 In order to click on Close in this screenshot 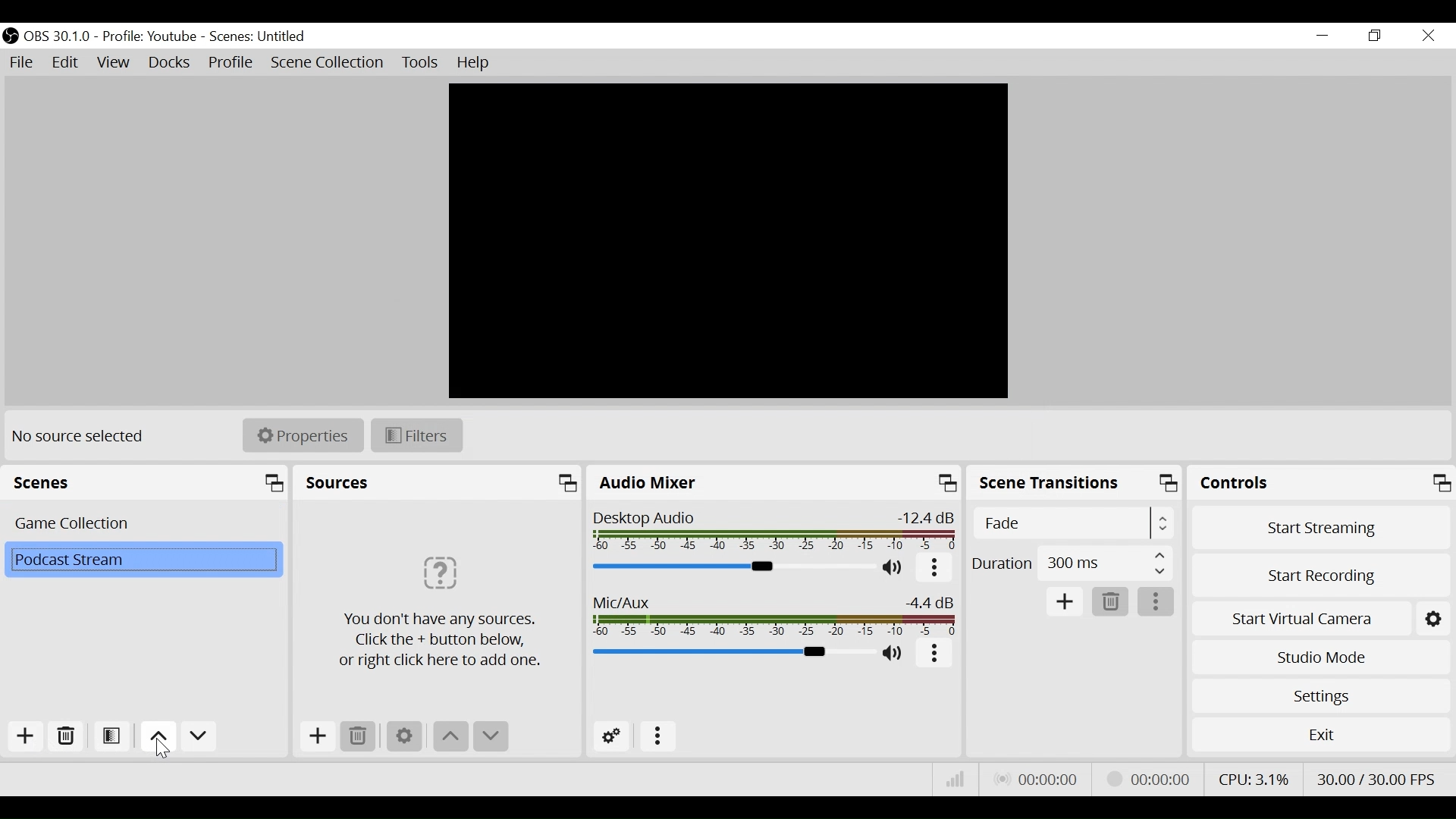, I will do `click(1427, 36)`.